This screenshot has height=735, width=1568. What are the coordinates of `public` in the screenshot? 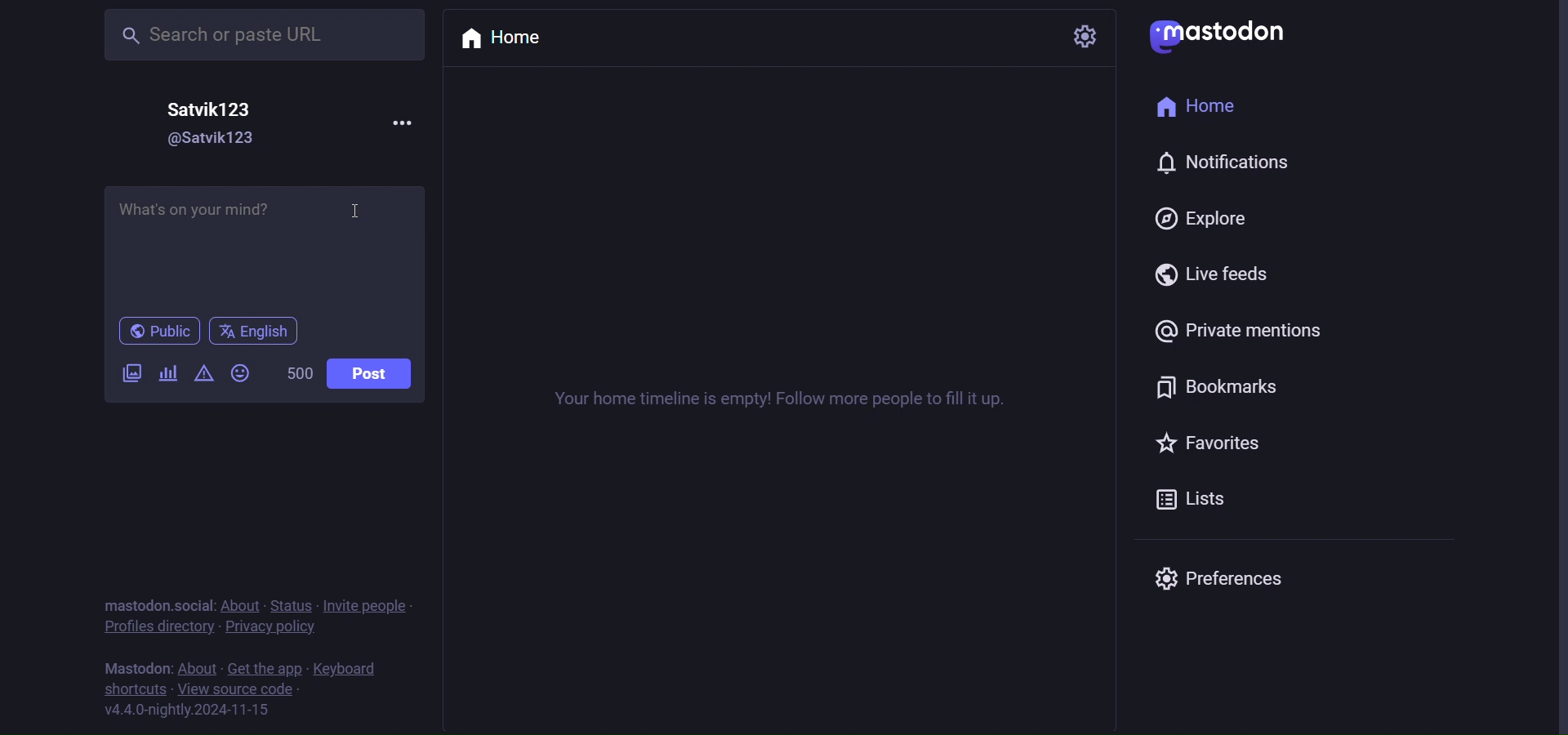 It's located at (158, 332).